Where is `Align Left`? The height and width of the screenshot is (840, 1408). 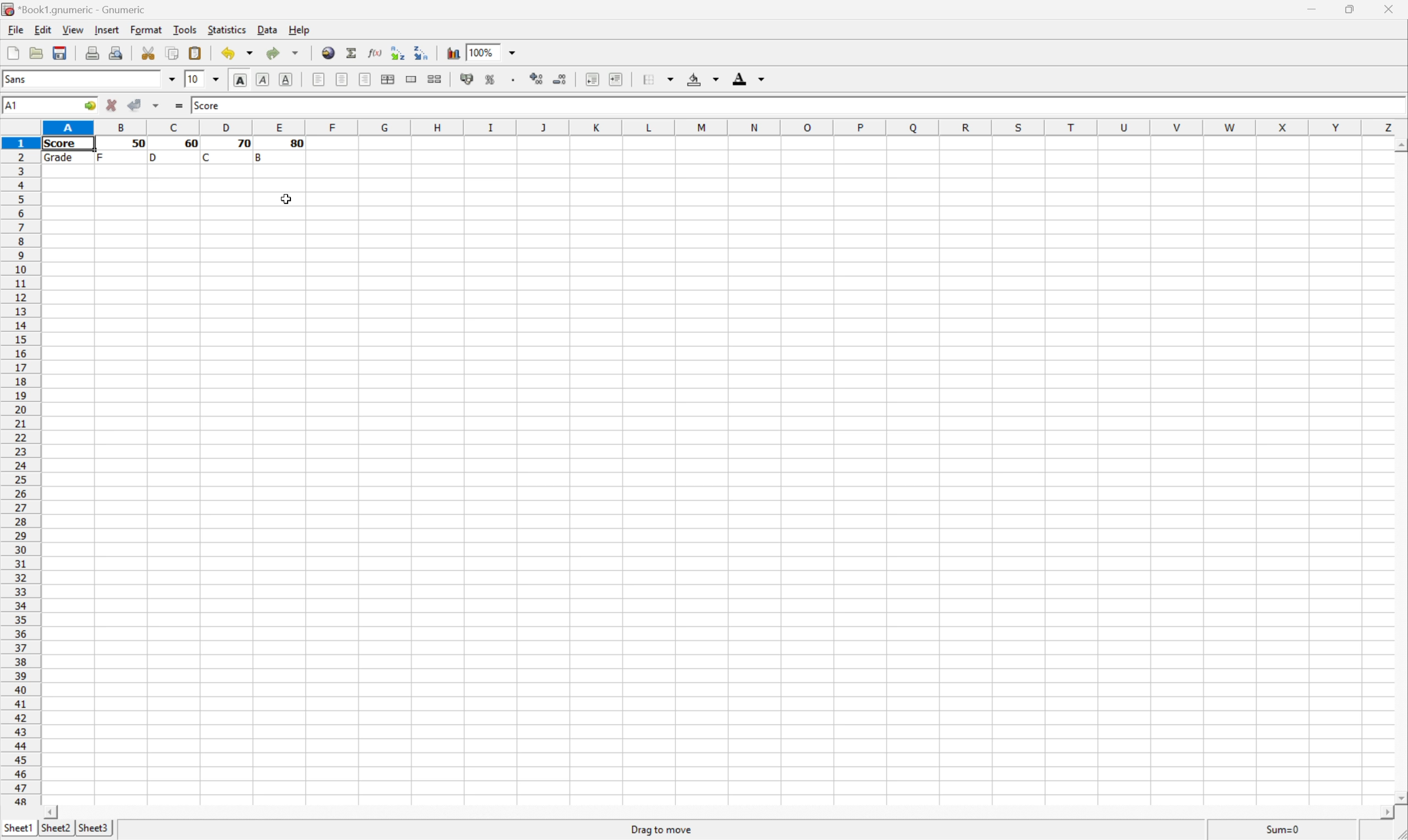
Align Left is located at coordinates (316, 80).